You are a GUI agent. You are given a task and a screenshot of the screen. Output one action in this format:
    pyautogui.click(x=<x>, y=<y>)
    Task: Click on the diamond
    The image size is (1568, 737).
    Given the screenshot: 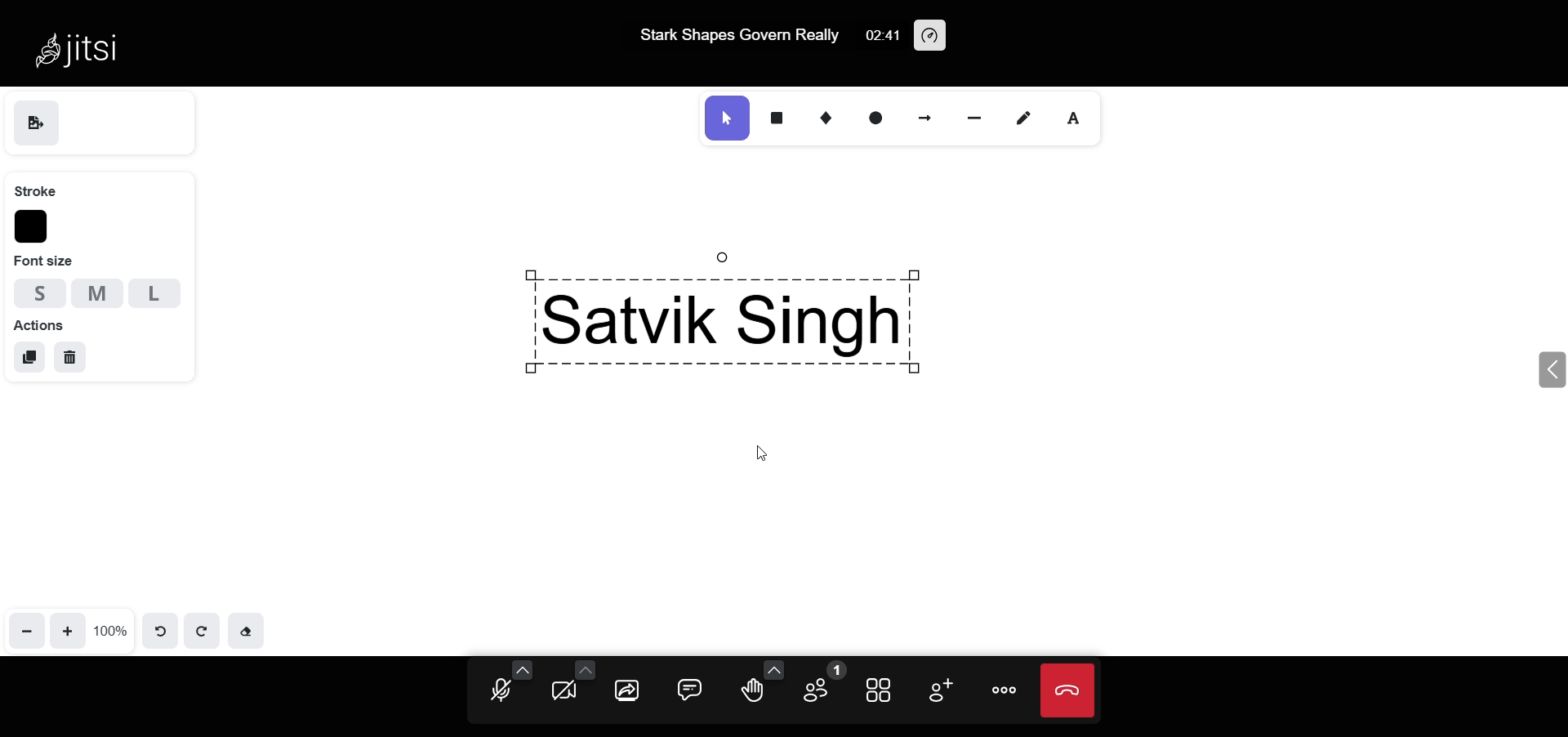 What is the action you would take?
    pyautogui.click(x=830, y=118)
    